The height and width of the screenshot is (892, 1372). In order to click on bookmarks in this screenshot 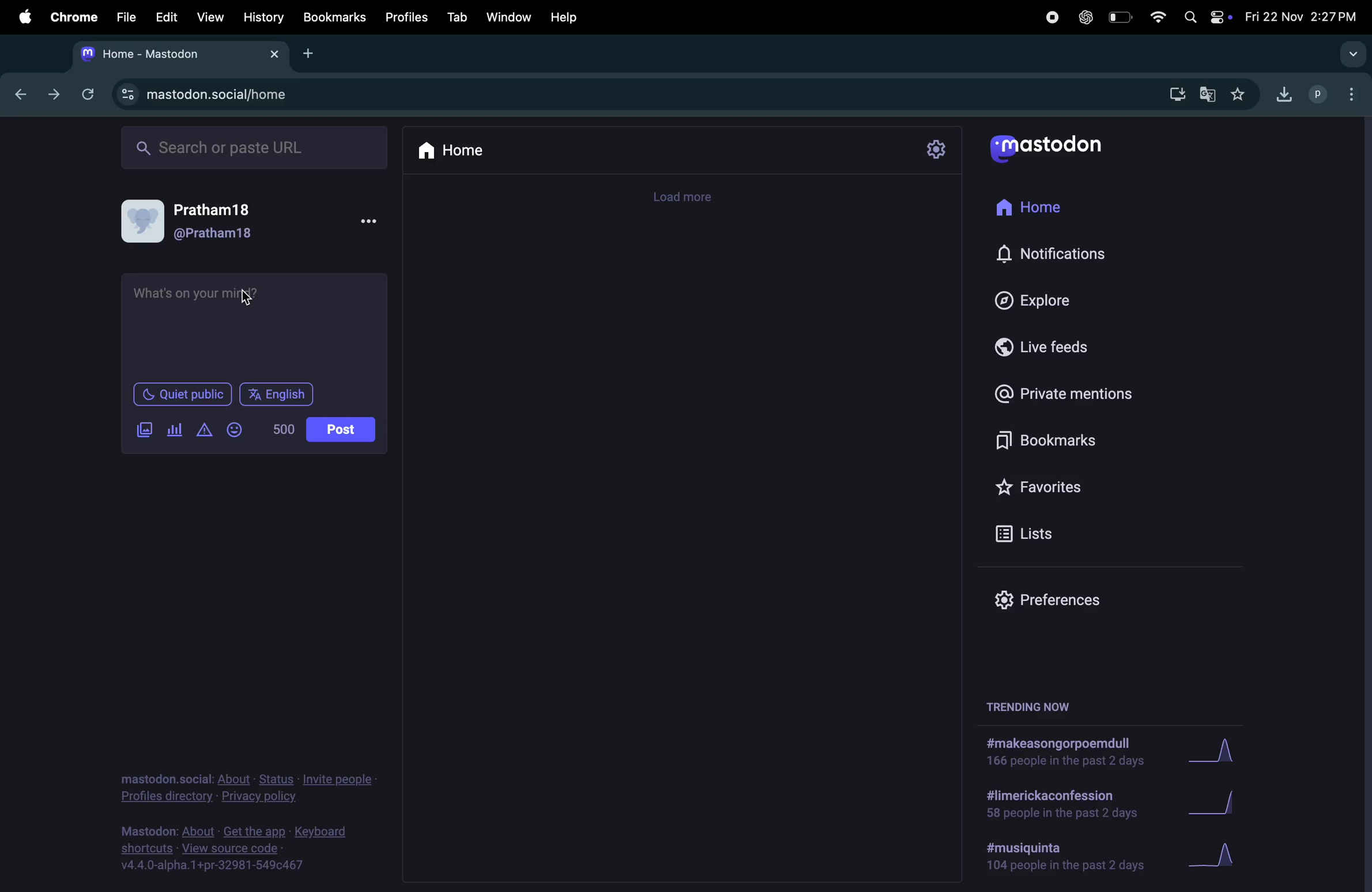, I will do `click(334, 17)`.